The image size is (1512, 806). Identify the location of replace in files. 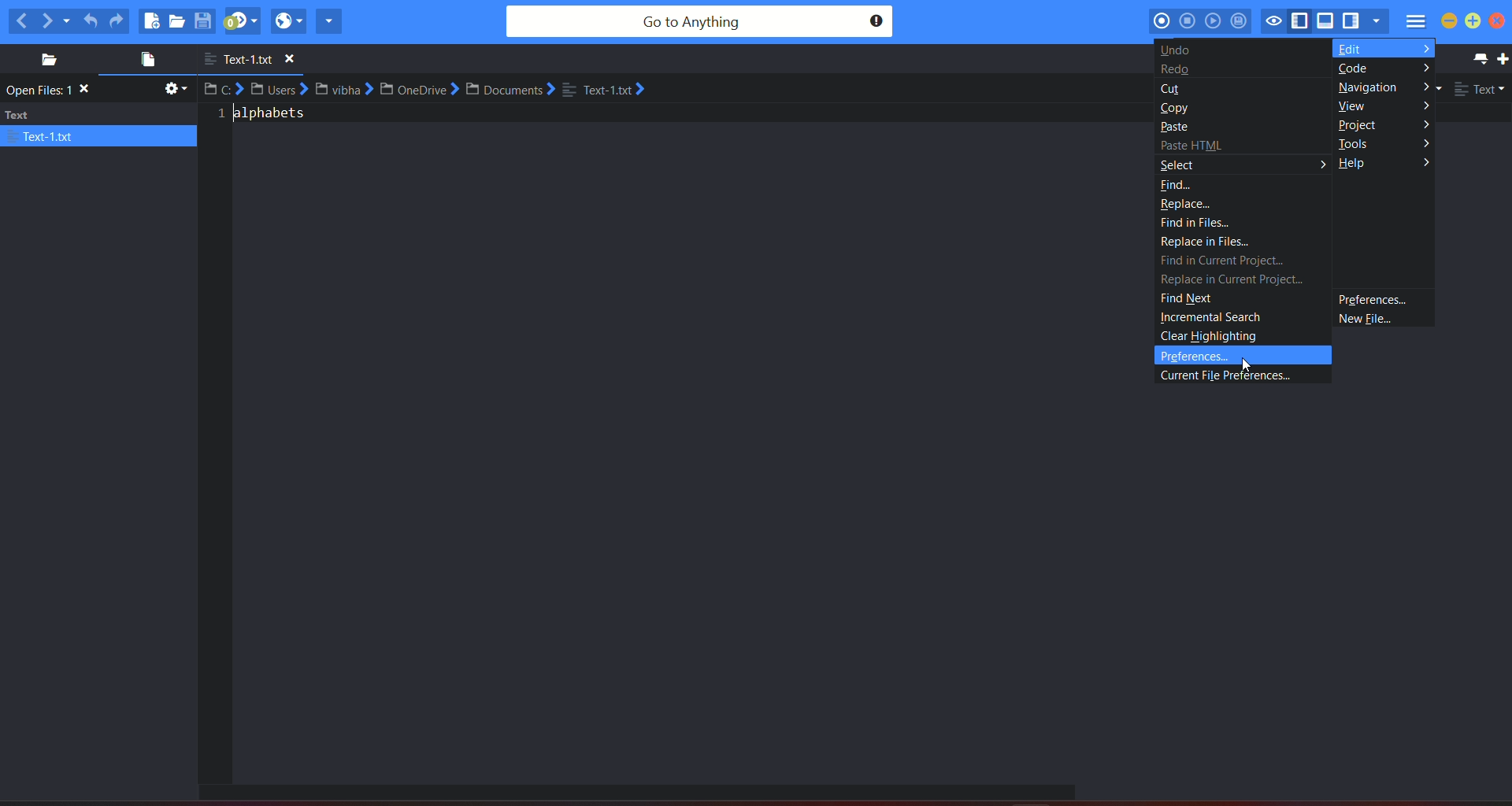
(1208, 241).